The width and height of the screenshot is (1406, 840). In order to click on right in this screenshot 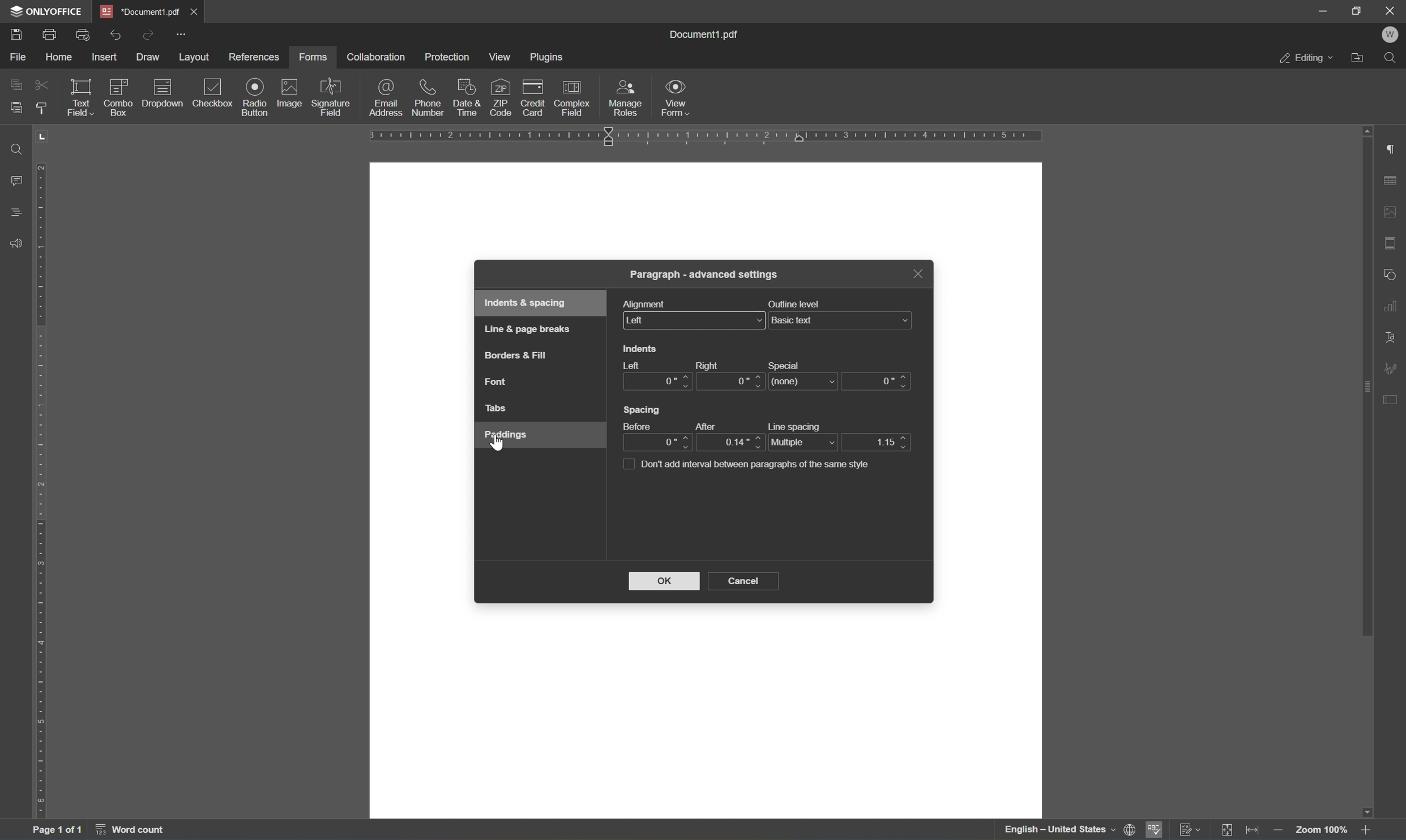, I will do `click(715, 366)`.